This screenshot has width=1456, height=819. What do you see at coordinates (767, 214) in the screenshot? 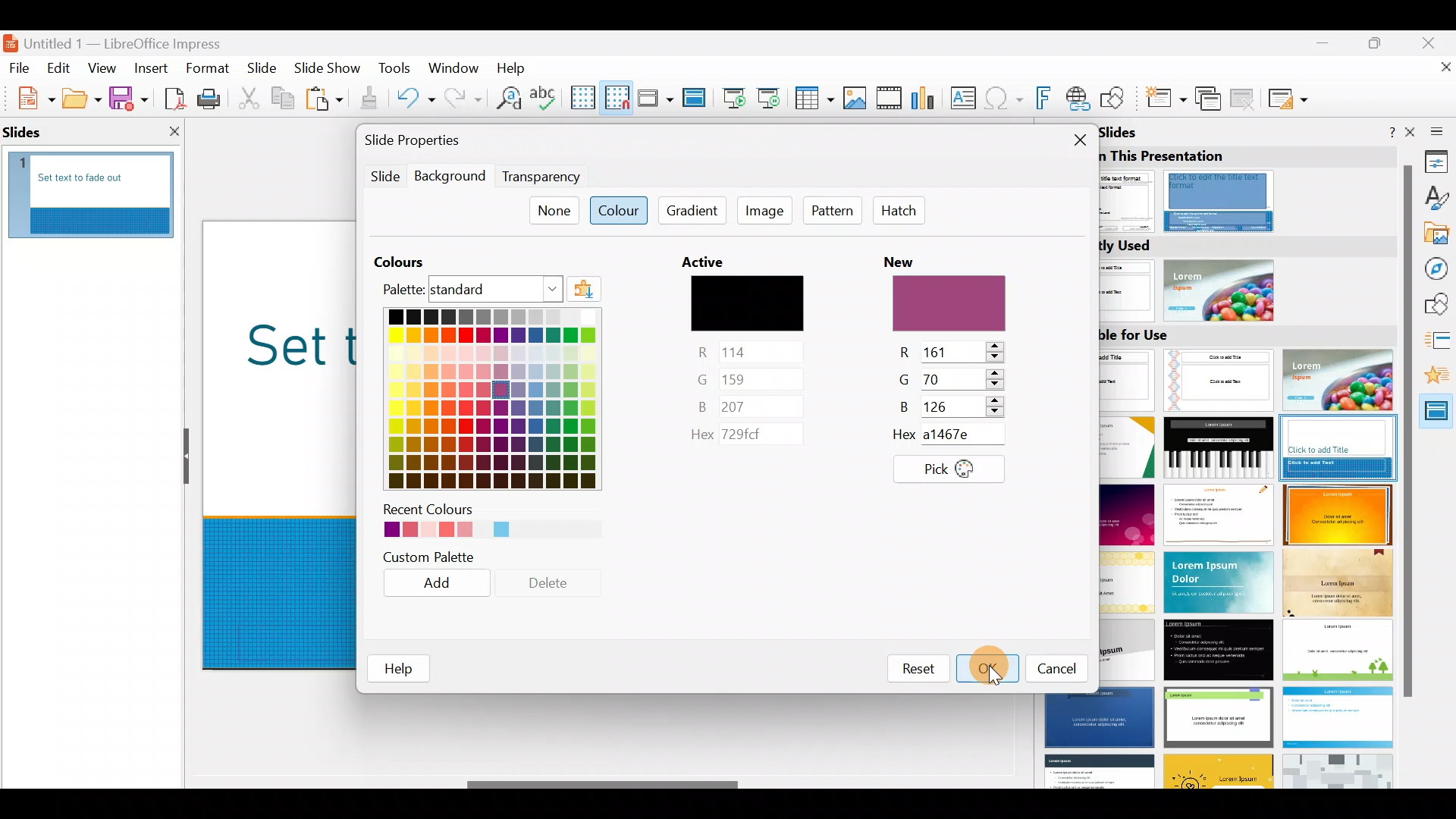
I see `Image` at bounding box center [767, 214].